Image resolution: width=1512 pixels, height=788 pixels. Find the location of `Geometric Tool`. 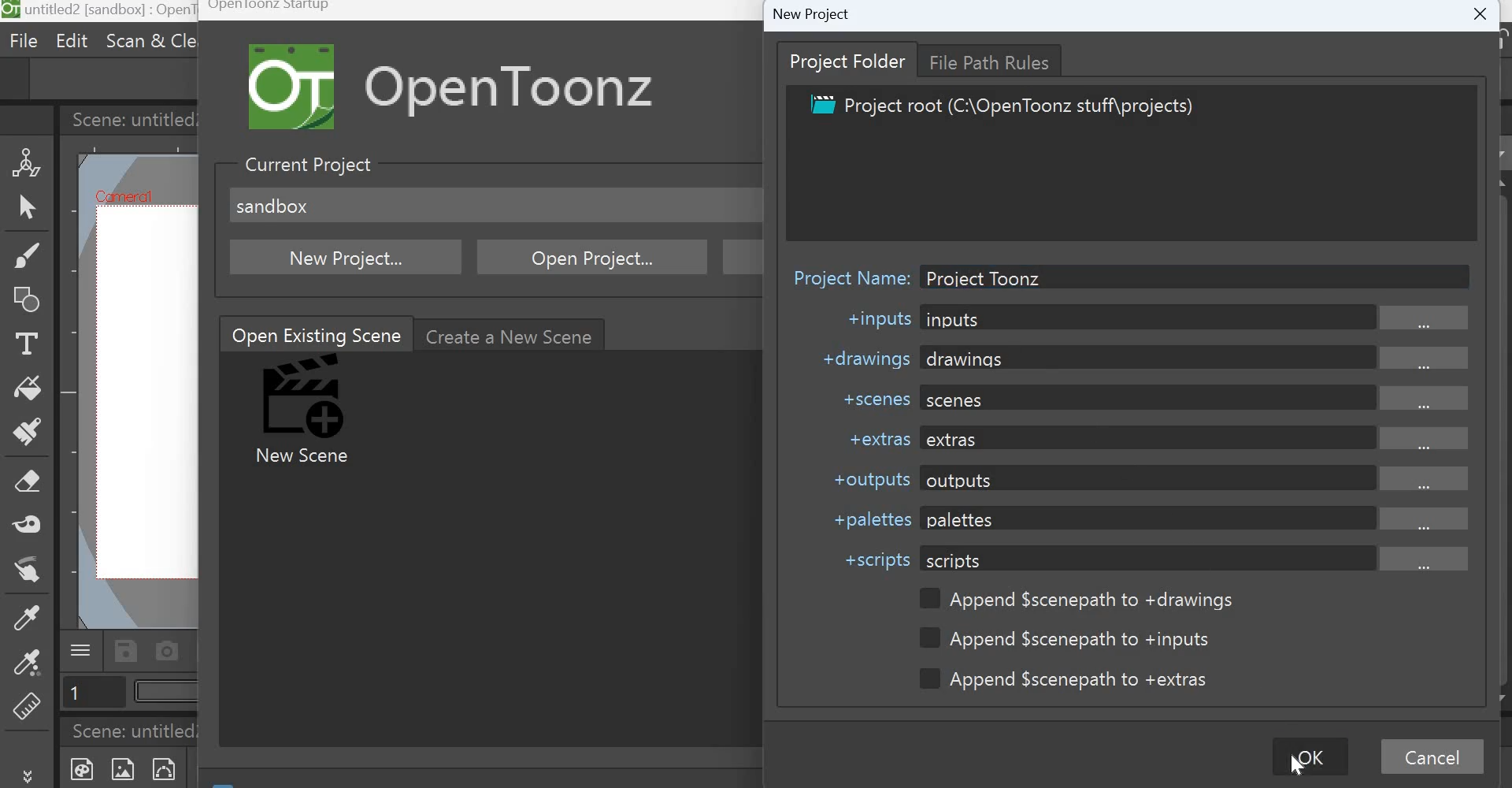

Geometric Tool is located at coordinates (29, 300).